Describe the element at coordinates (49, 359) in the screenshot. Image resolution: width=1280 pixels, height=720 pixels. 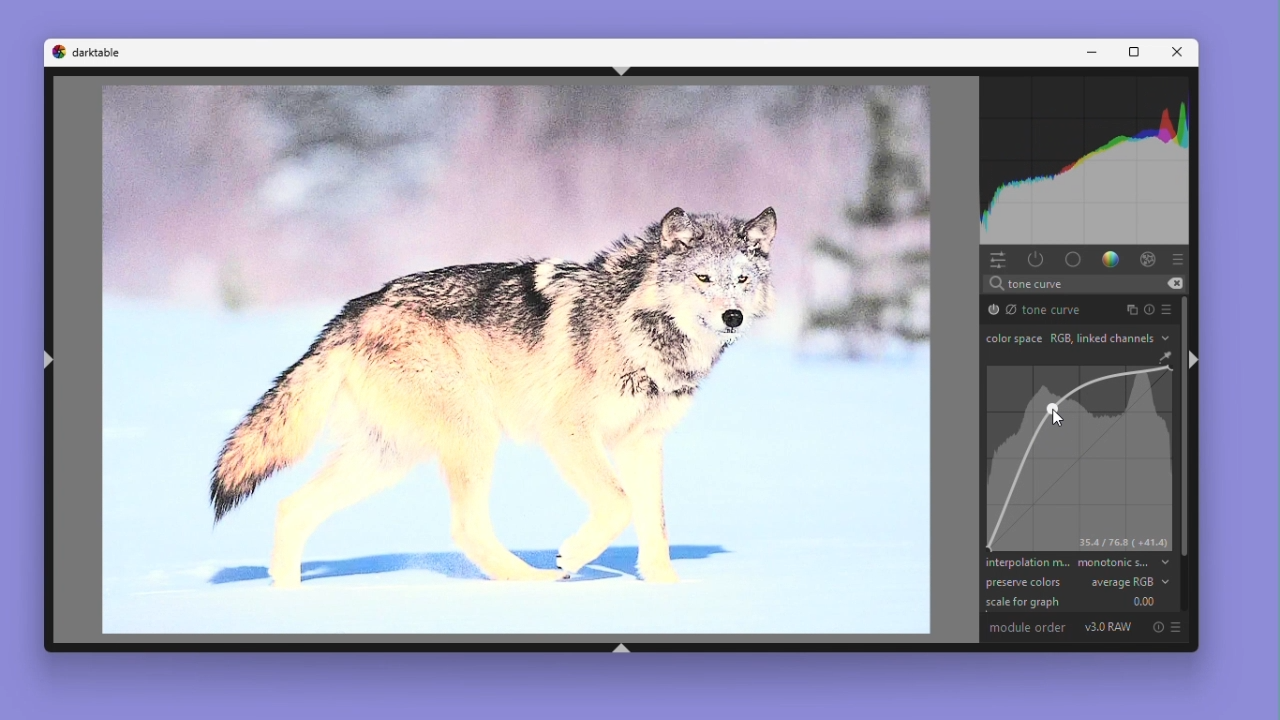
I see `shift+ctrl+l` at that location.